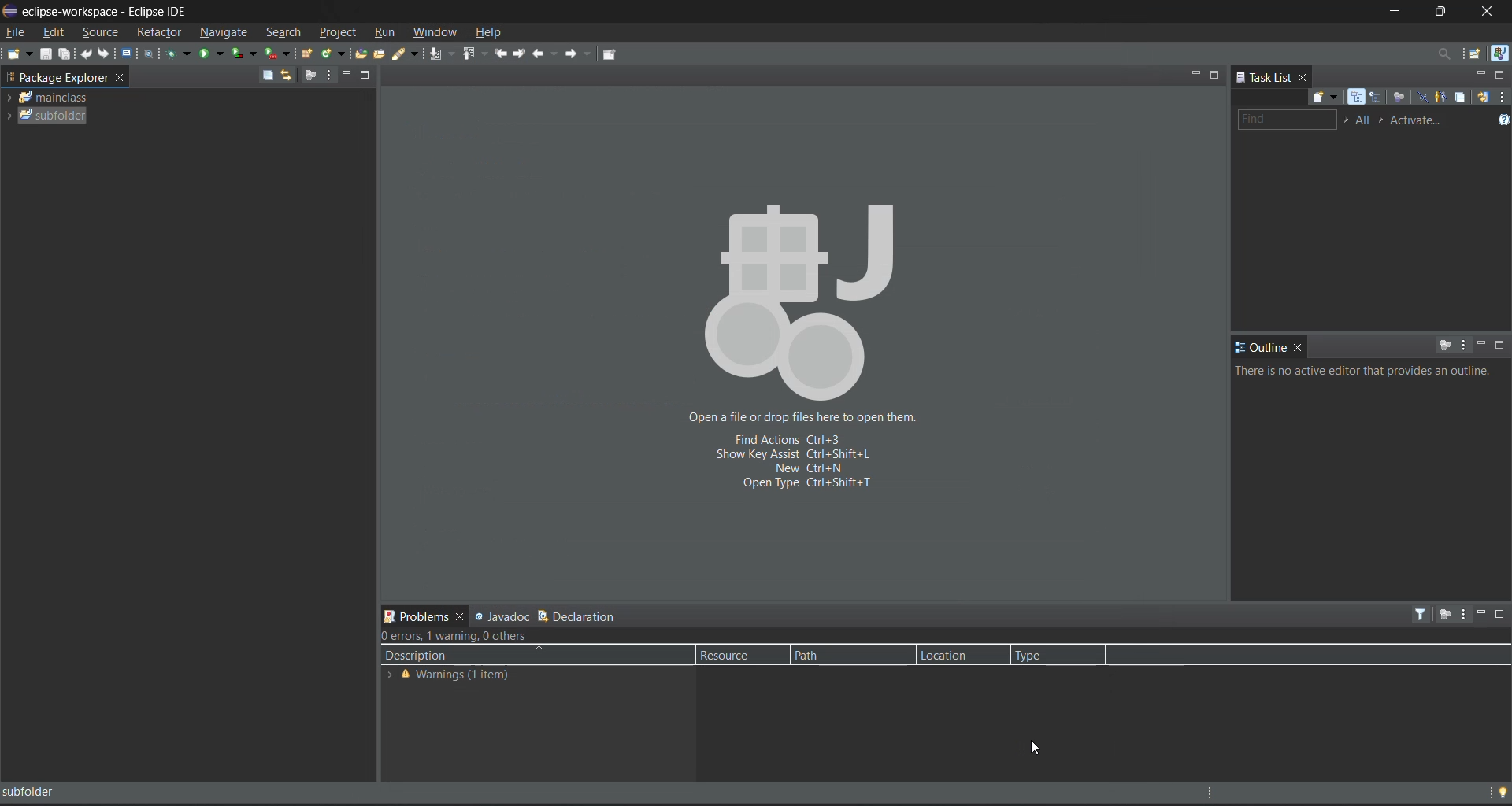  Describe the element at coordinates (1346, 120) in the screenshot. I see `select working set` at that location.